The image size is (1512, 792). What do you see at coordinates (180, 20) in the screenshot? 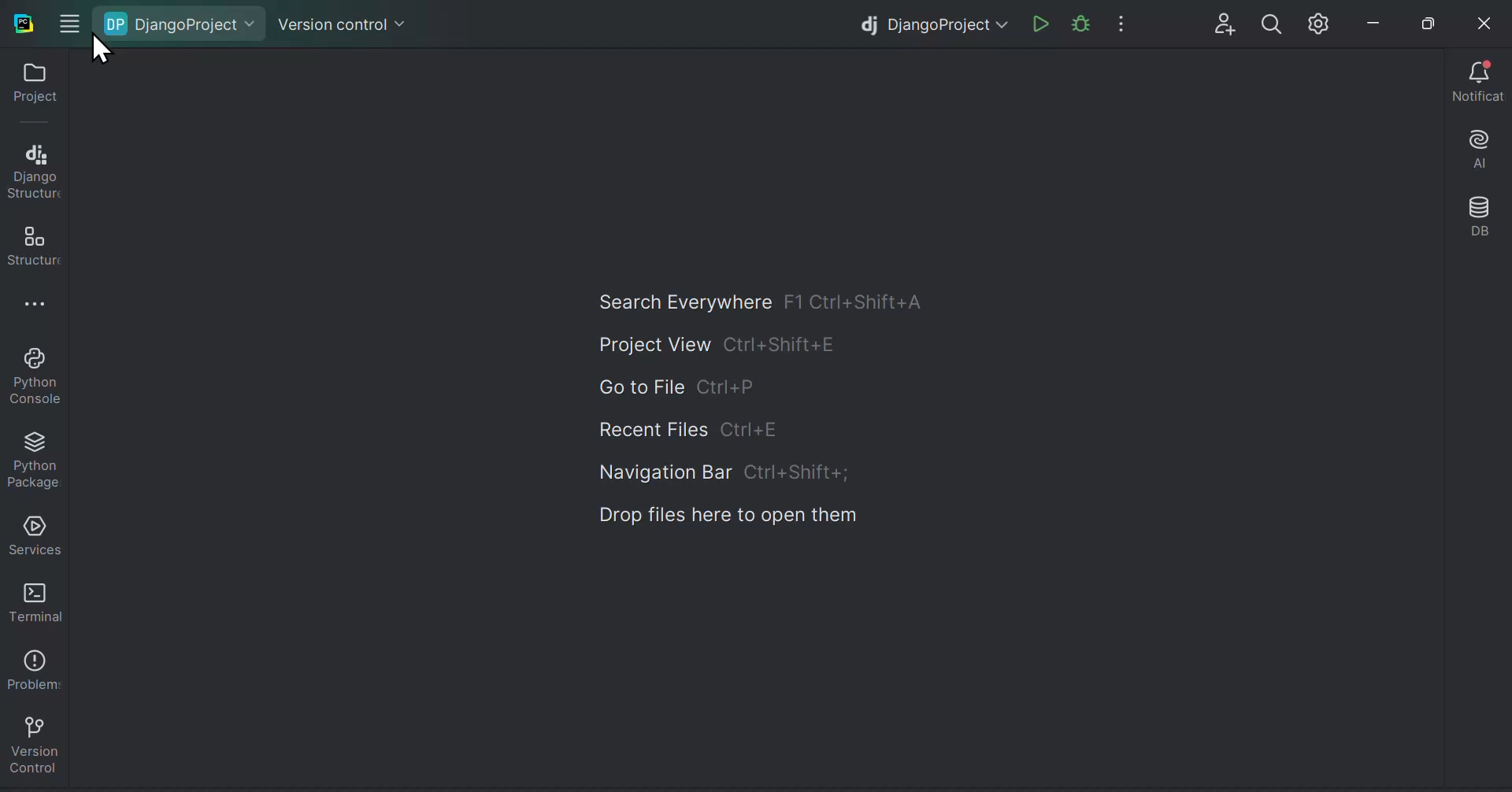
I see `Django project` at bounding box center [180, 20].